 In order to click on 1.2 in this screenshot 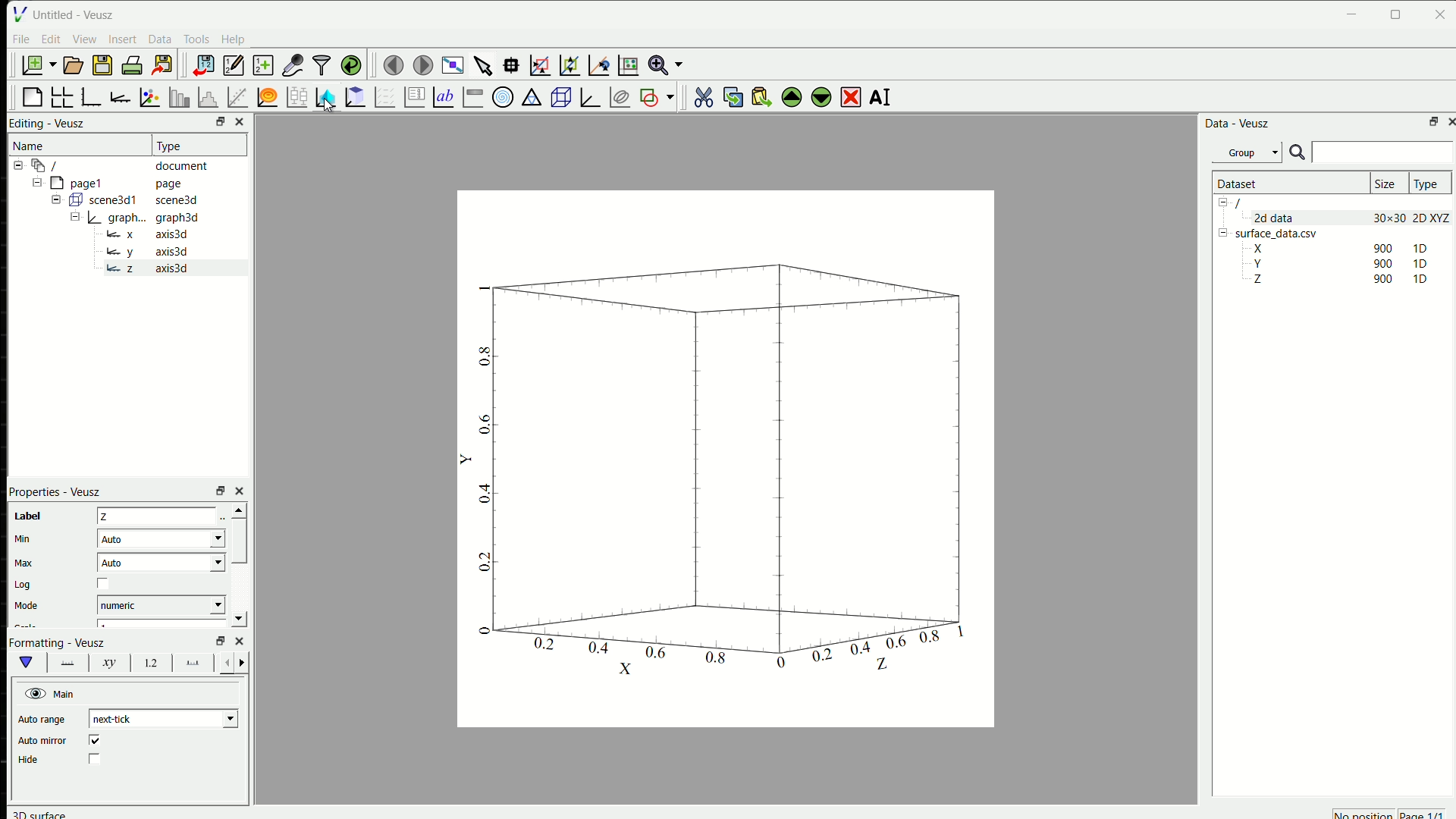, I will do `click(152, 662)`.